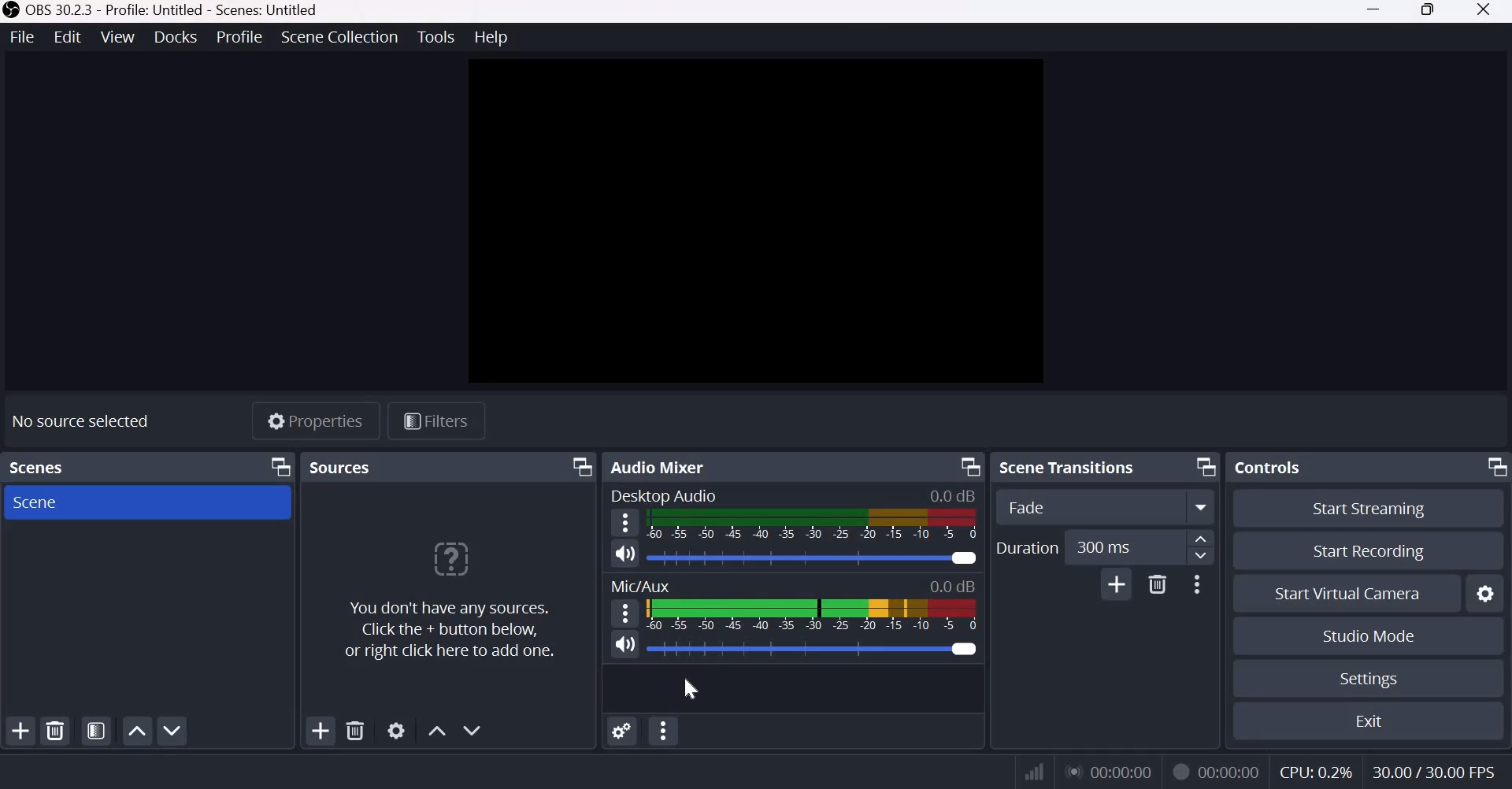 The height and width of the screenshot is (789, 1512). Describe the element at coordinates (1231, 770) in the screenshot. I see `Recording Timer` at that location.